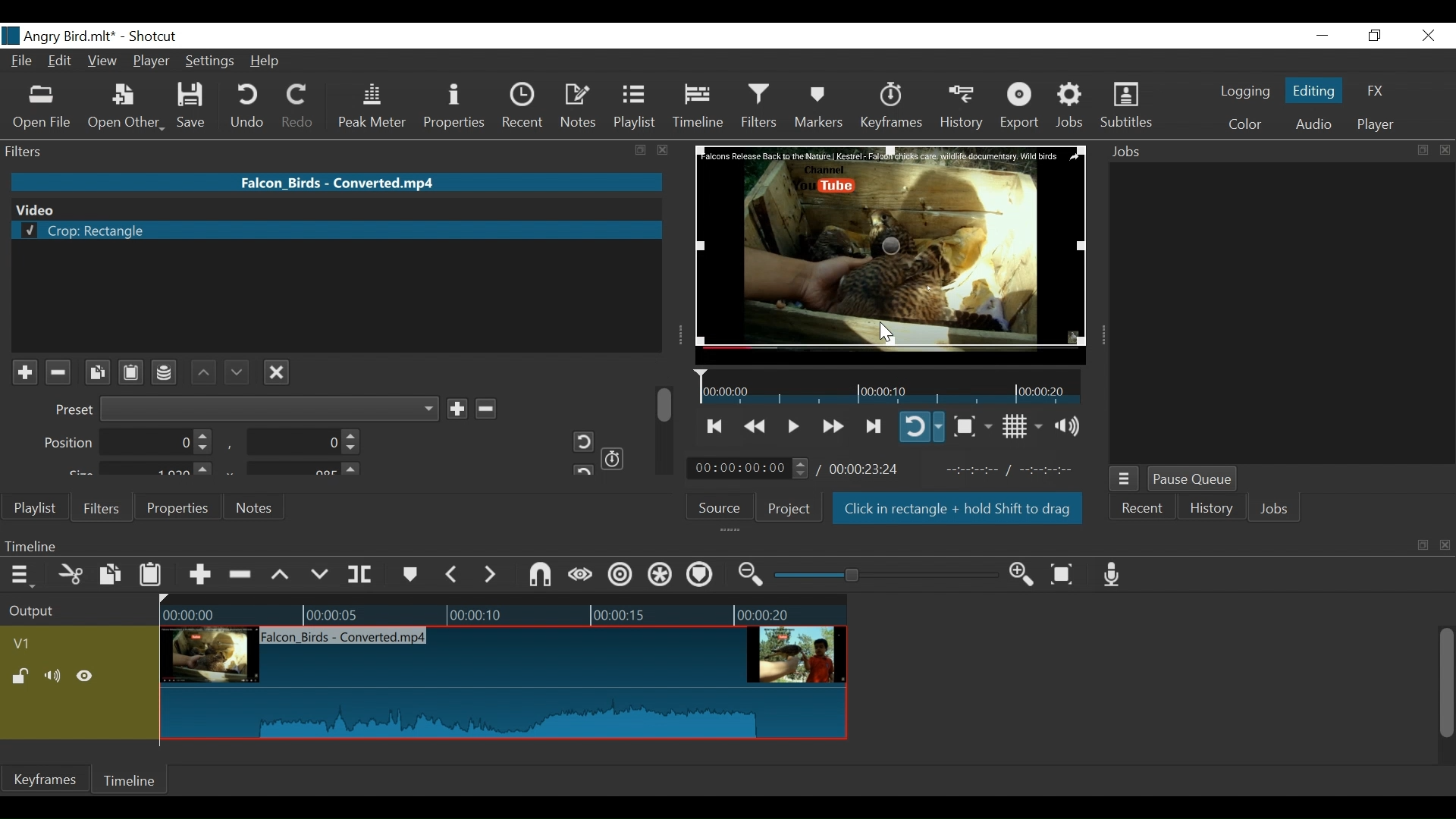 The image size is (1456, 819). Describe the element at coordinates (921, 426) in the screenshot. I see `Toggle player looping` at that location.